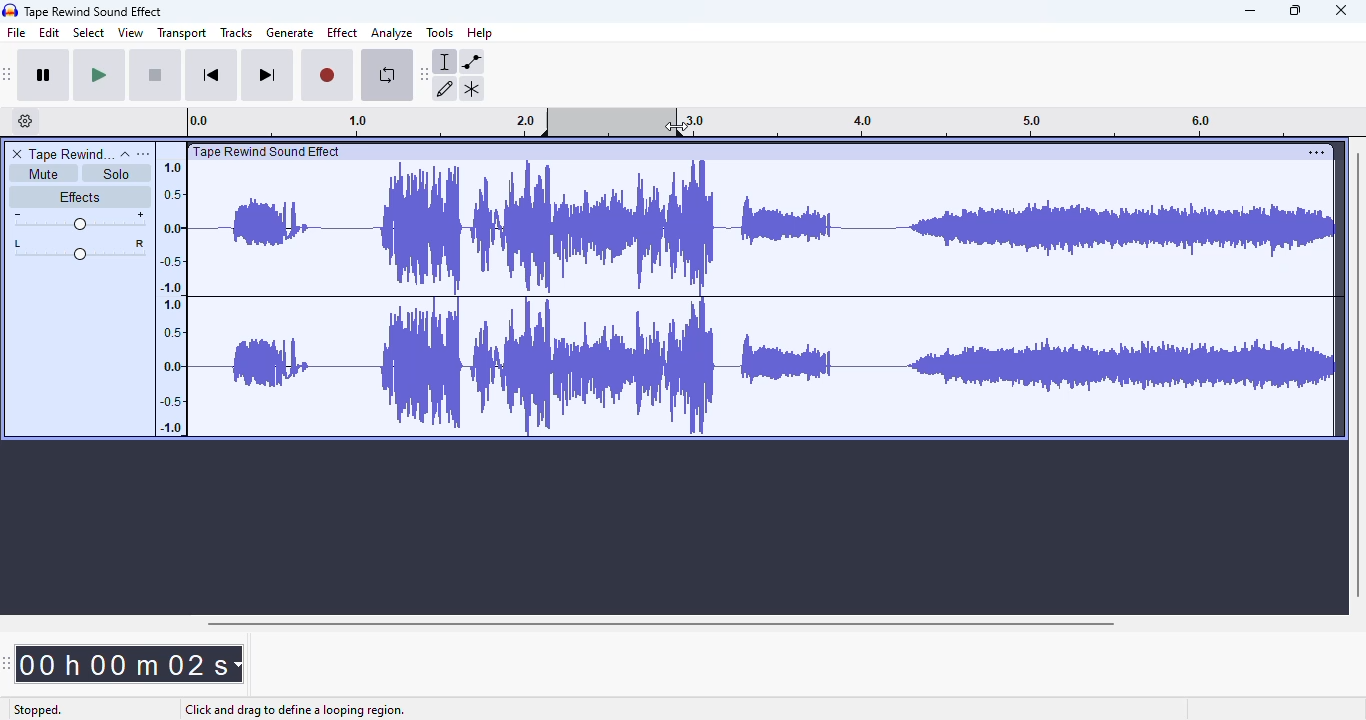  I want to click on tools, so click(441, 32).